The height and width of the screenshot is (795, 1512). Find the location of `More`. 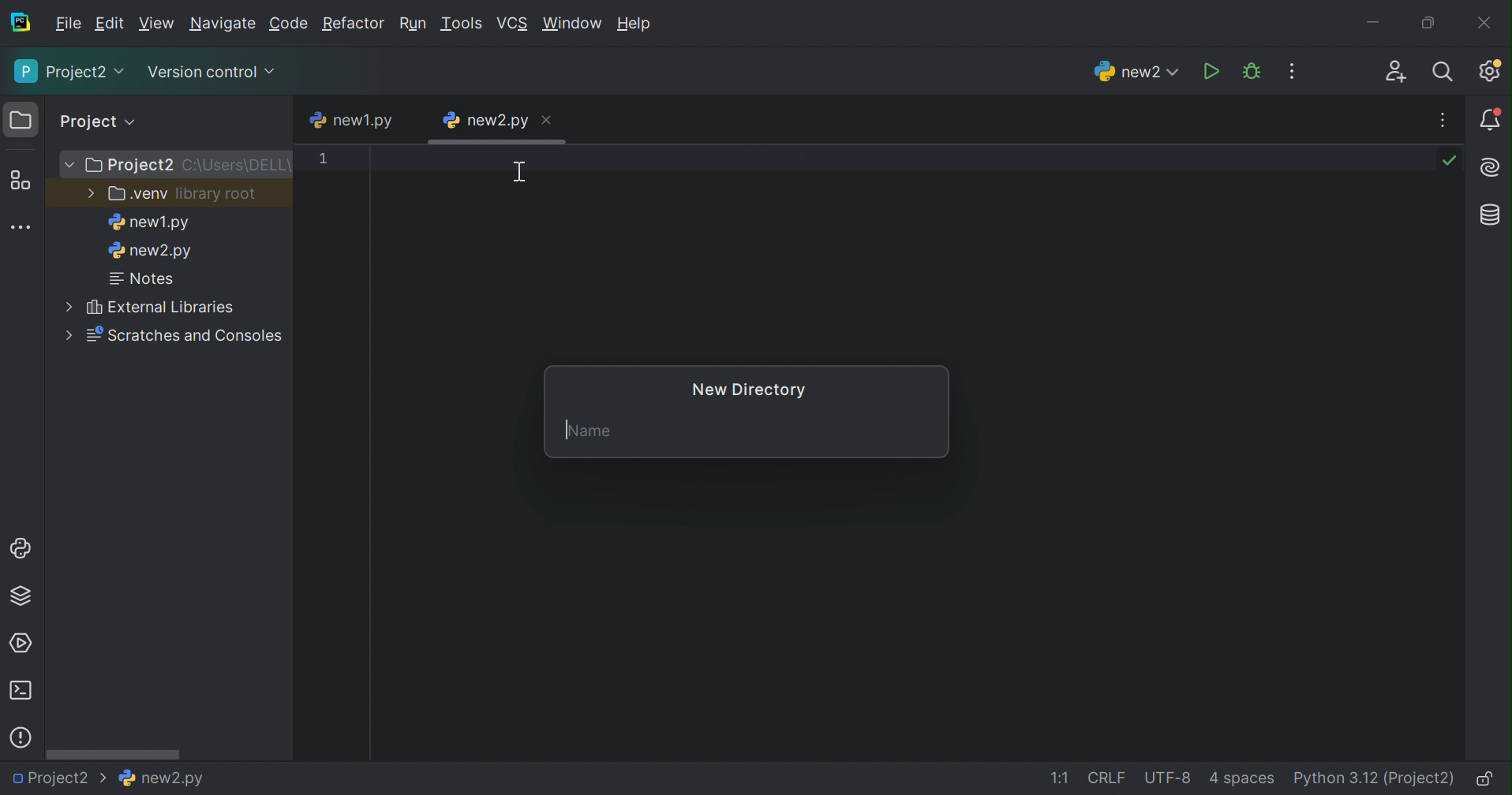

More is located at coordinates (71, 166).